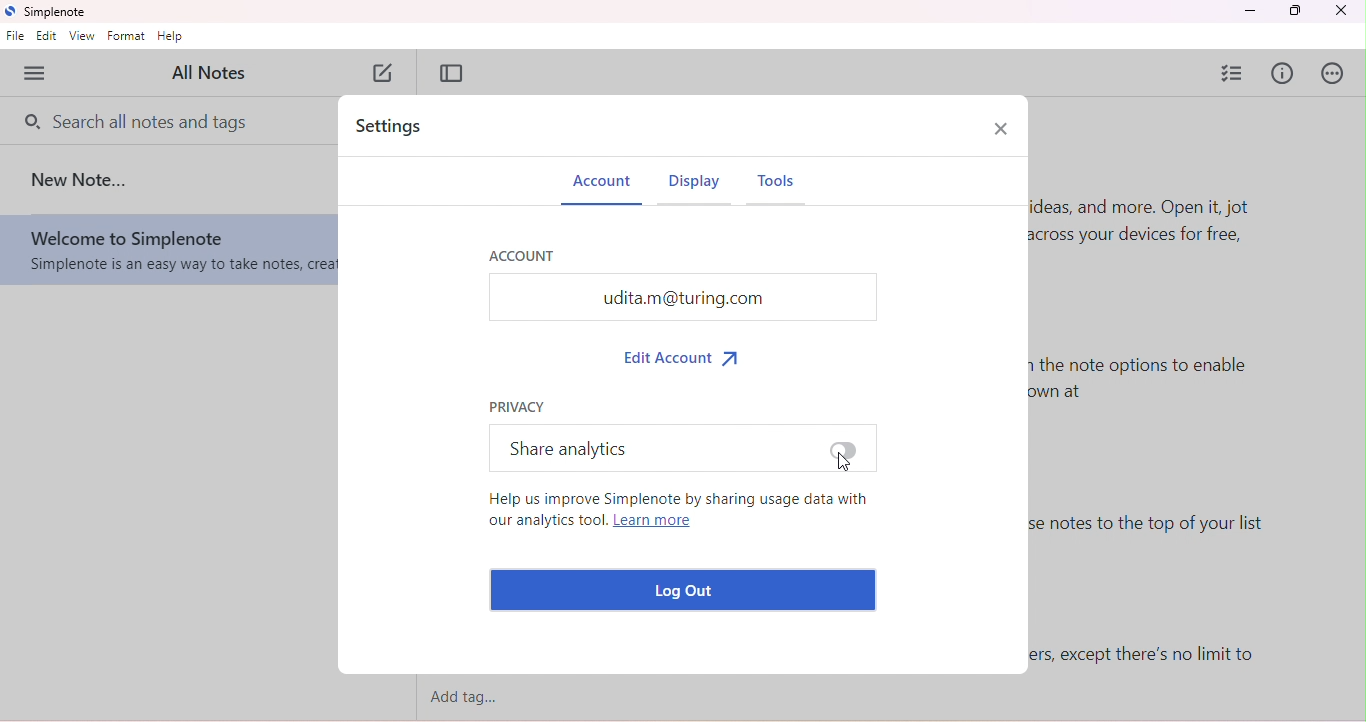  Describe the element at coordinates (168, 251) in the screenshot. I see `welcome to simplenote` at that location.